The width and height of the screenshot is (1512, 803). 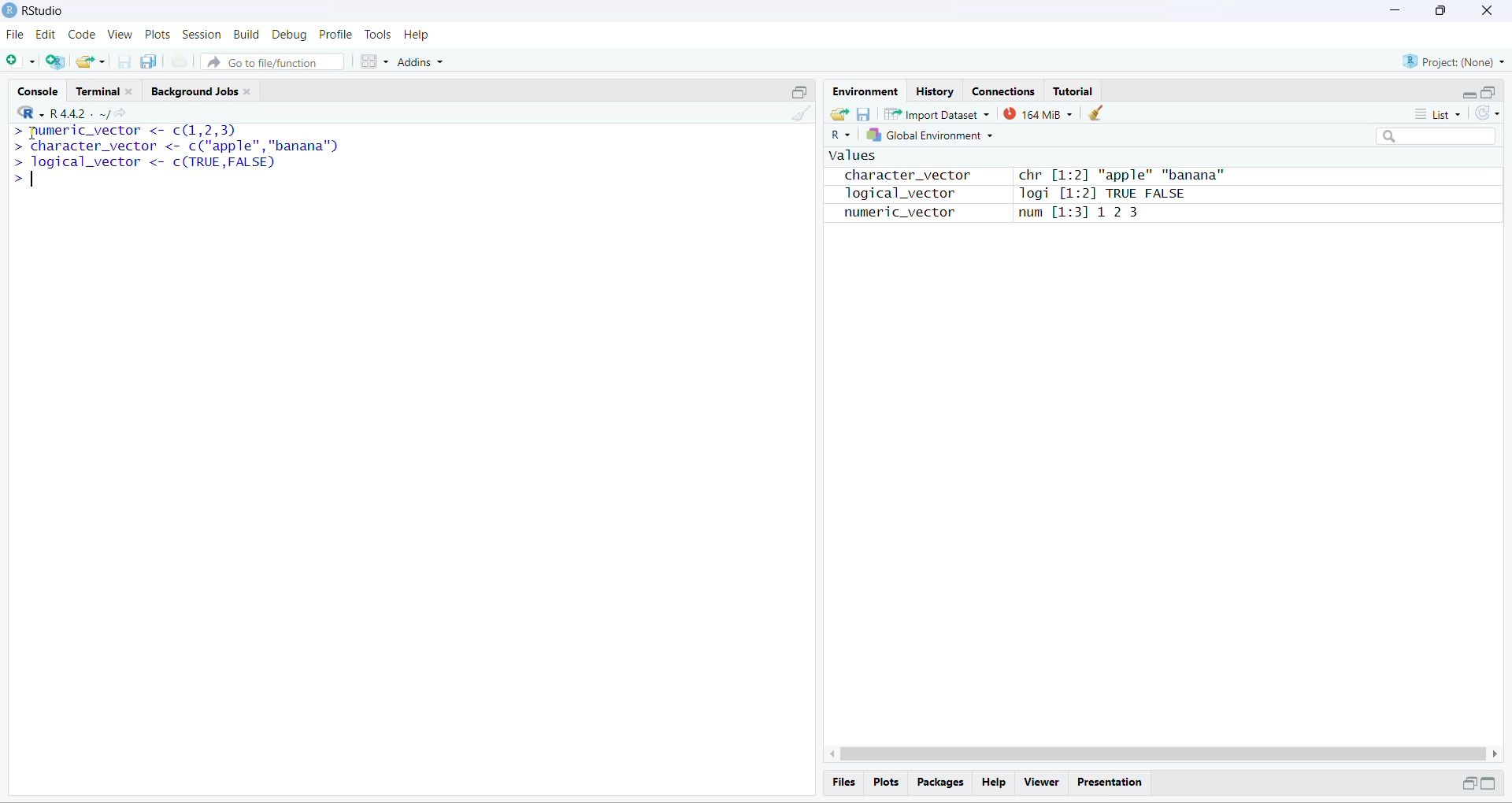 What do you see at coordinates (246, 34) in the screenshot?
I see `Build` at bounding box center [246, 34].